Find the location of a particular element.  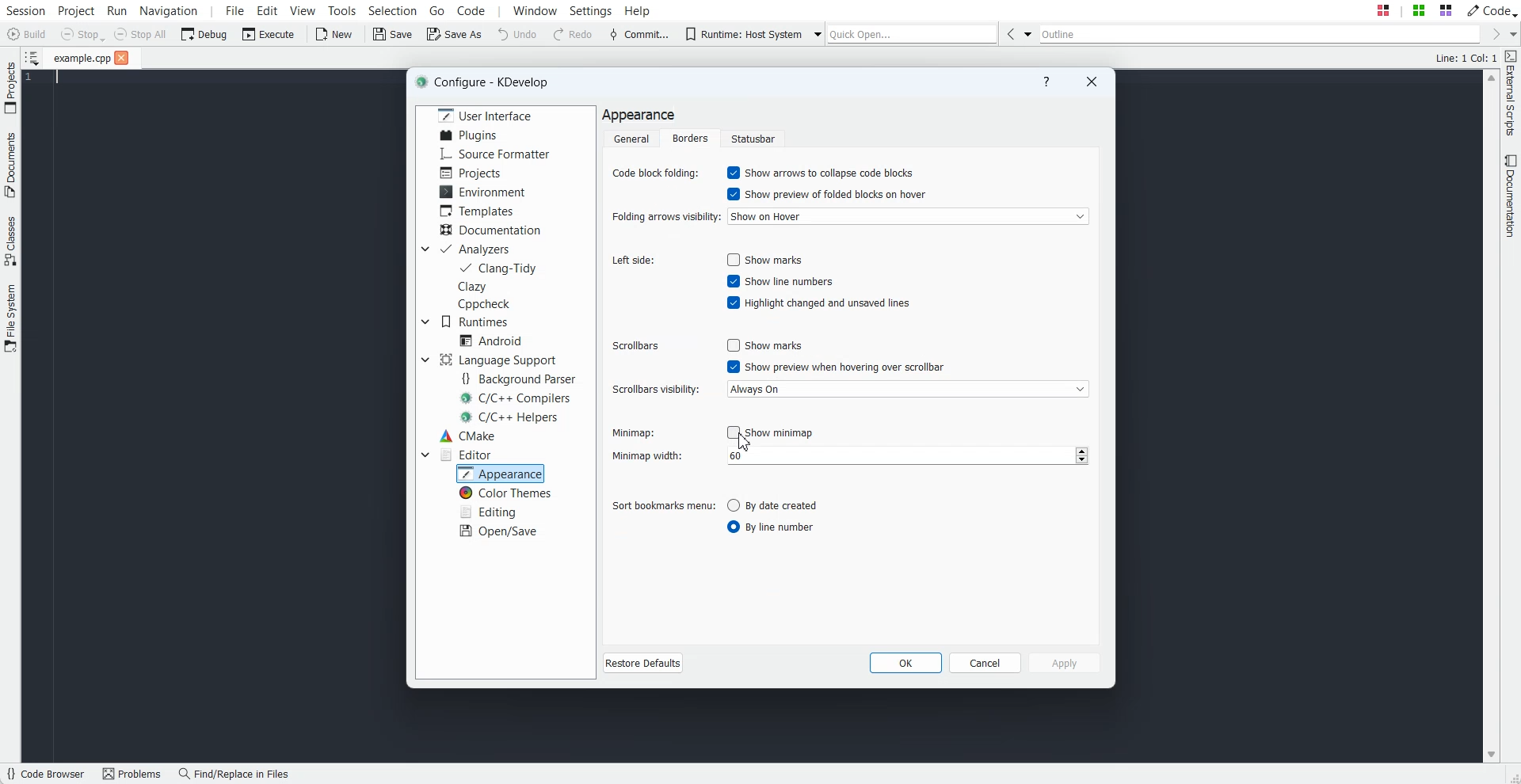

OK is located at coordinates (906, 662).